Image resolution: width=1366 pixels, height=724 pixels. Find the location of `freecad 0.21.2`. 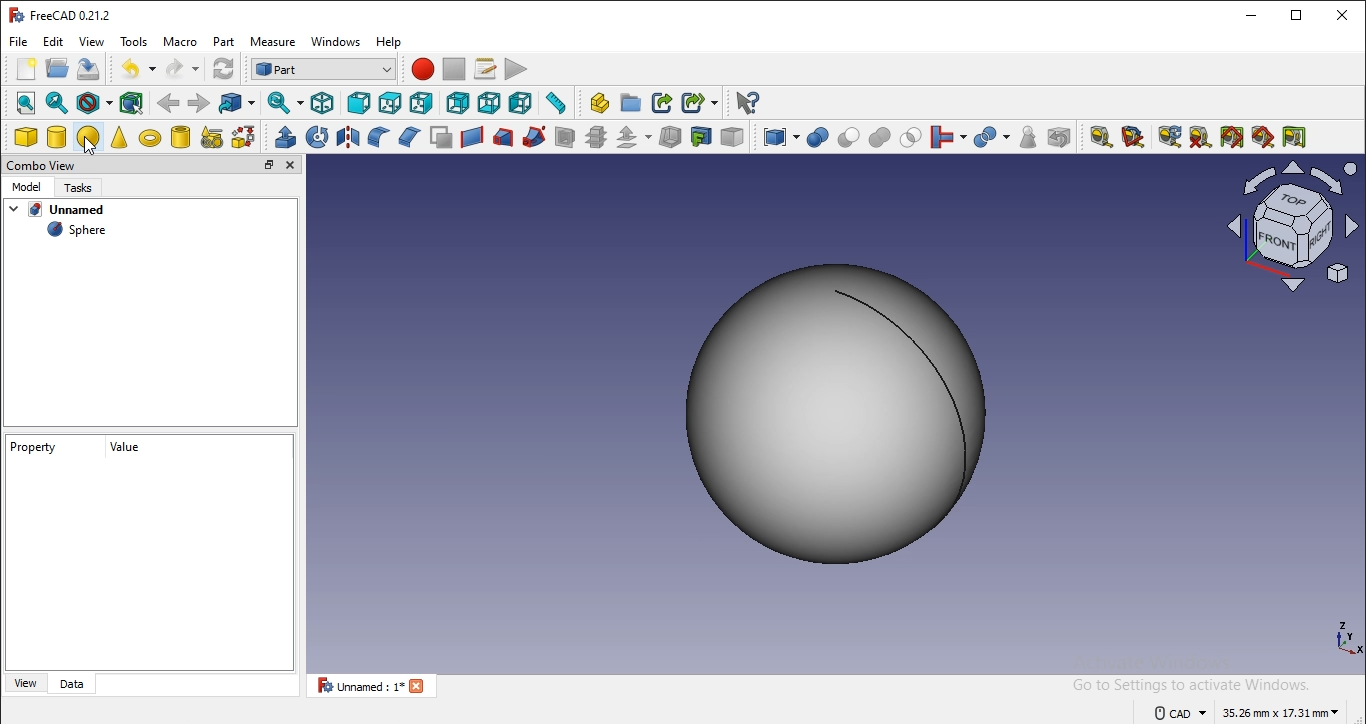

freecad 0.21.2 is located at coordinates (66, 15).